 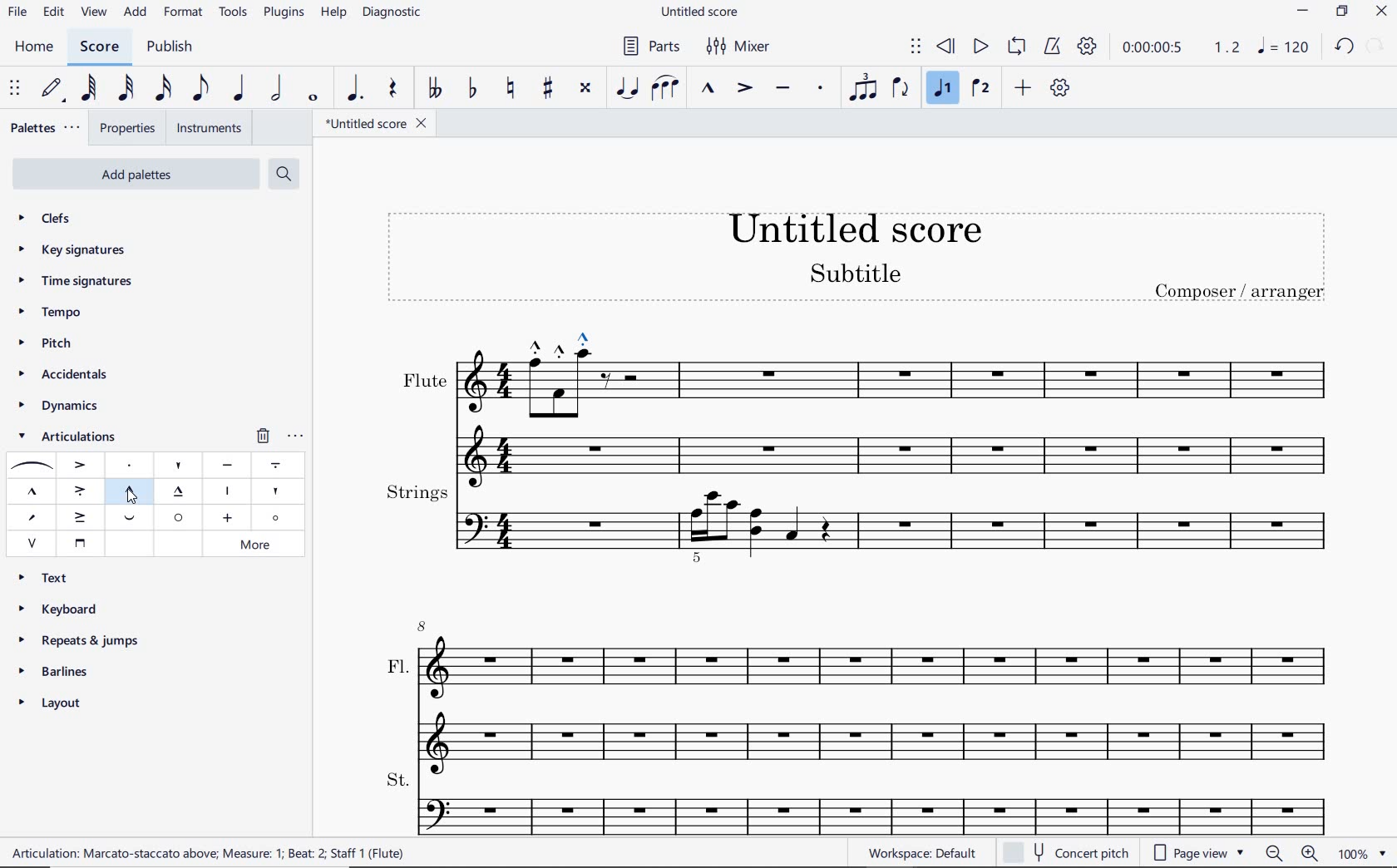 What do you see at coordinates (67, 437) in the screenshot?
I see `articulations` at bounding box center [67, 437].